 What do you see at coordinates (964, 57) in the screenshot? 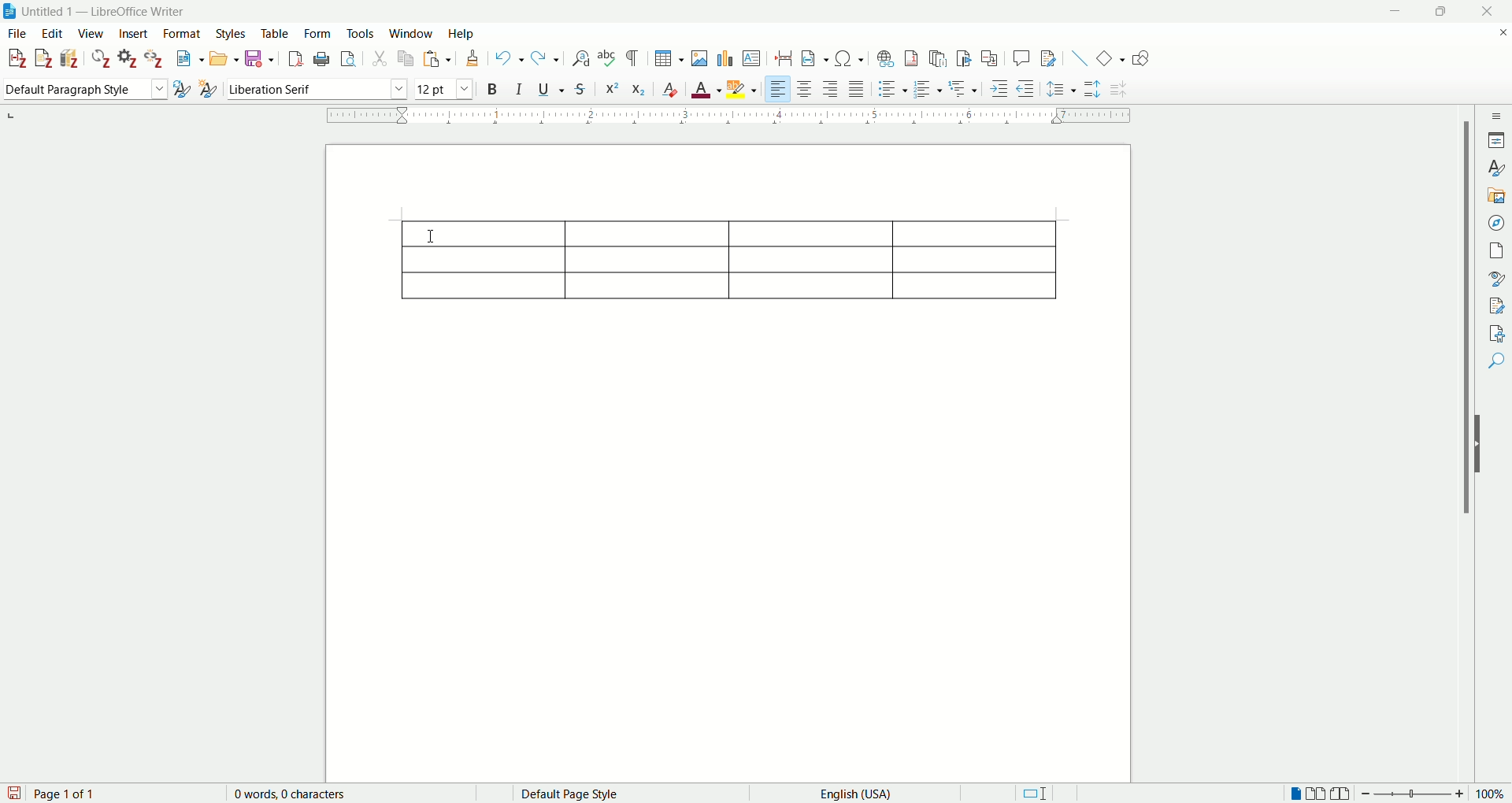
I see `insert bookmark` at bounding box center [964, 57].